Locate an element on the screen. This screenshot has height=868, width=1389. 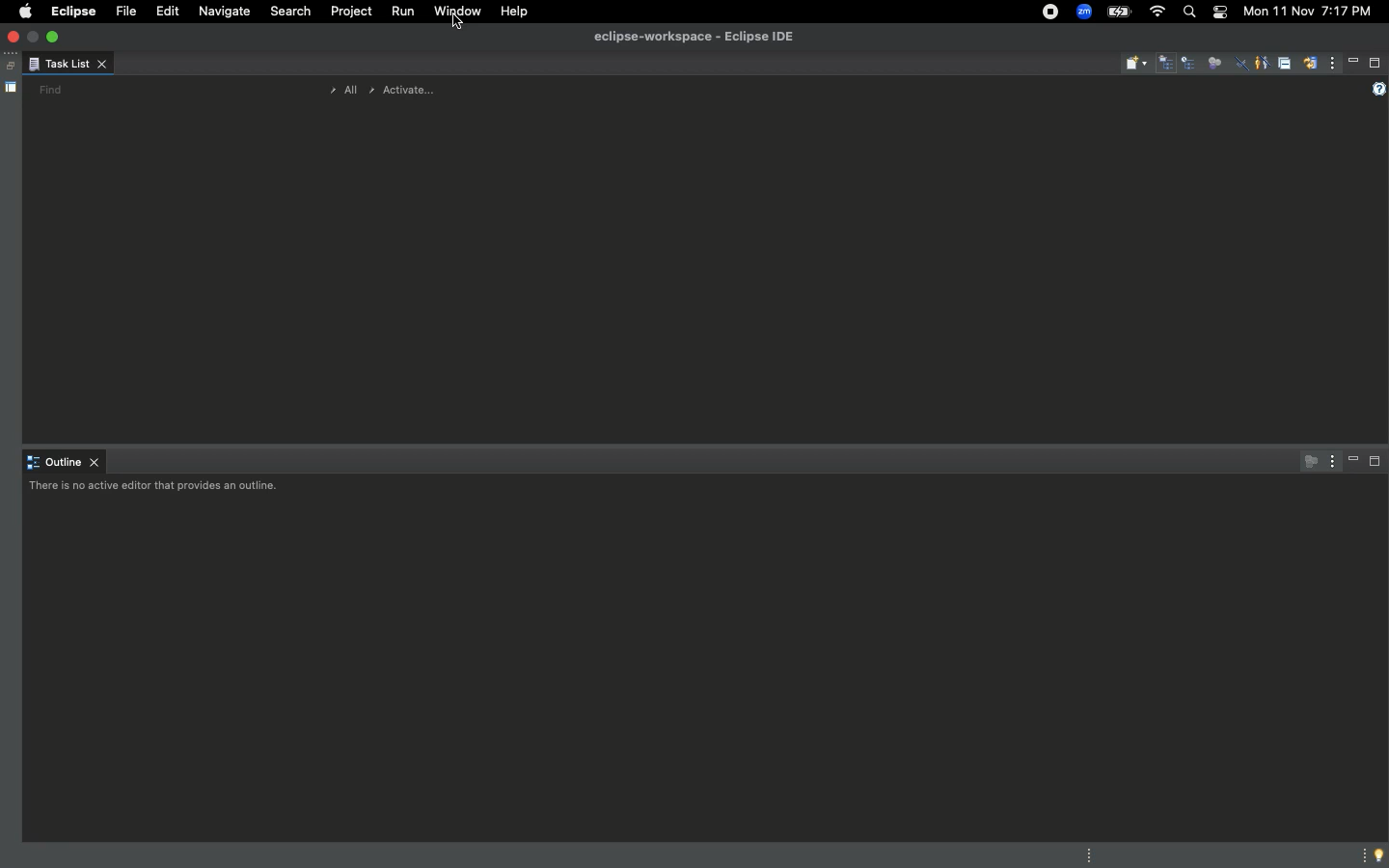
Hide completed tasks is located at coordinates (1241, 66).